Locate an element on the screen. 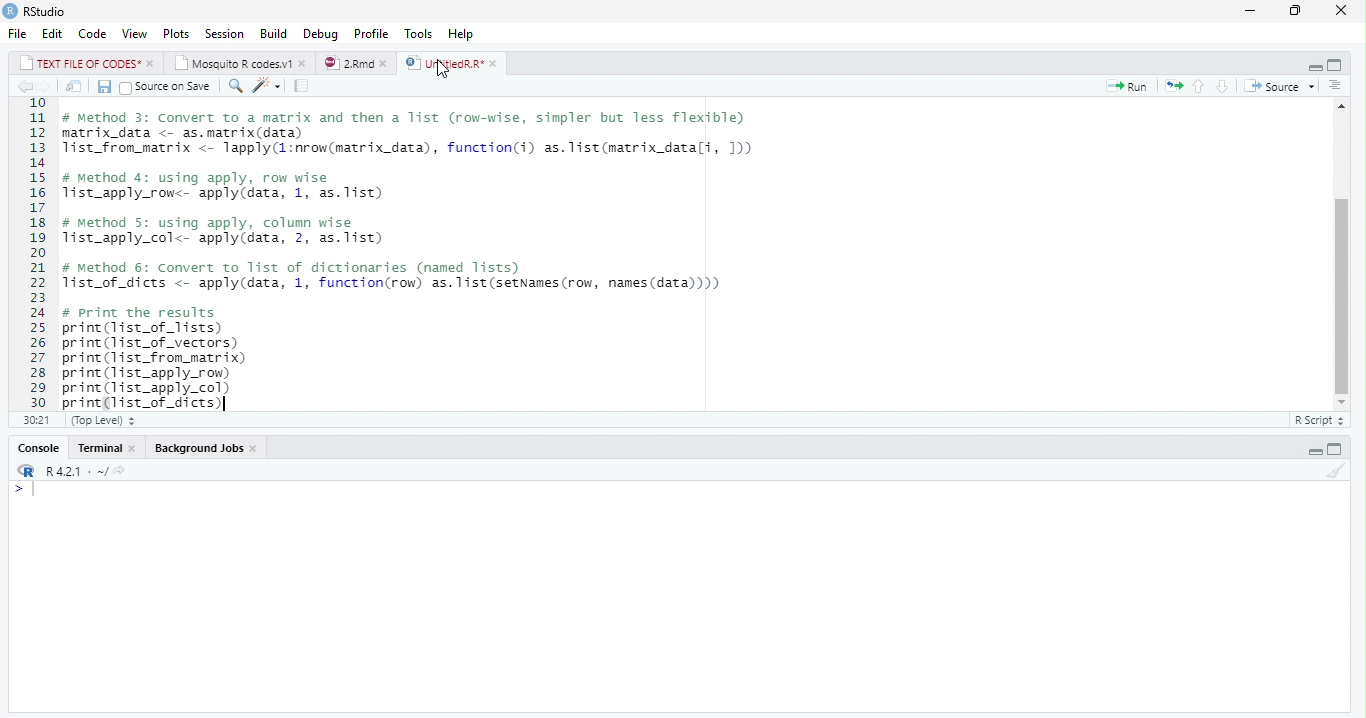 This screenshot has height=718, width=1366. Full Height is located at coordinates (1335, 65).